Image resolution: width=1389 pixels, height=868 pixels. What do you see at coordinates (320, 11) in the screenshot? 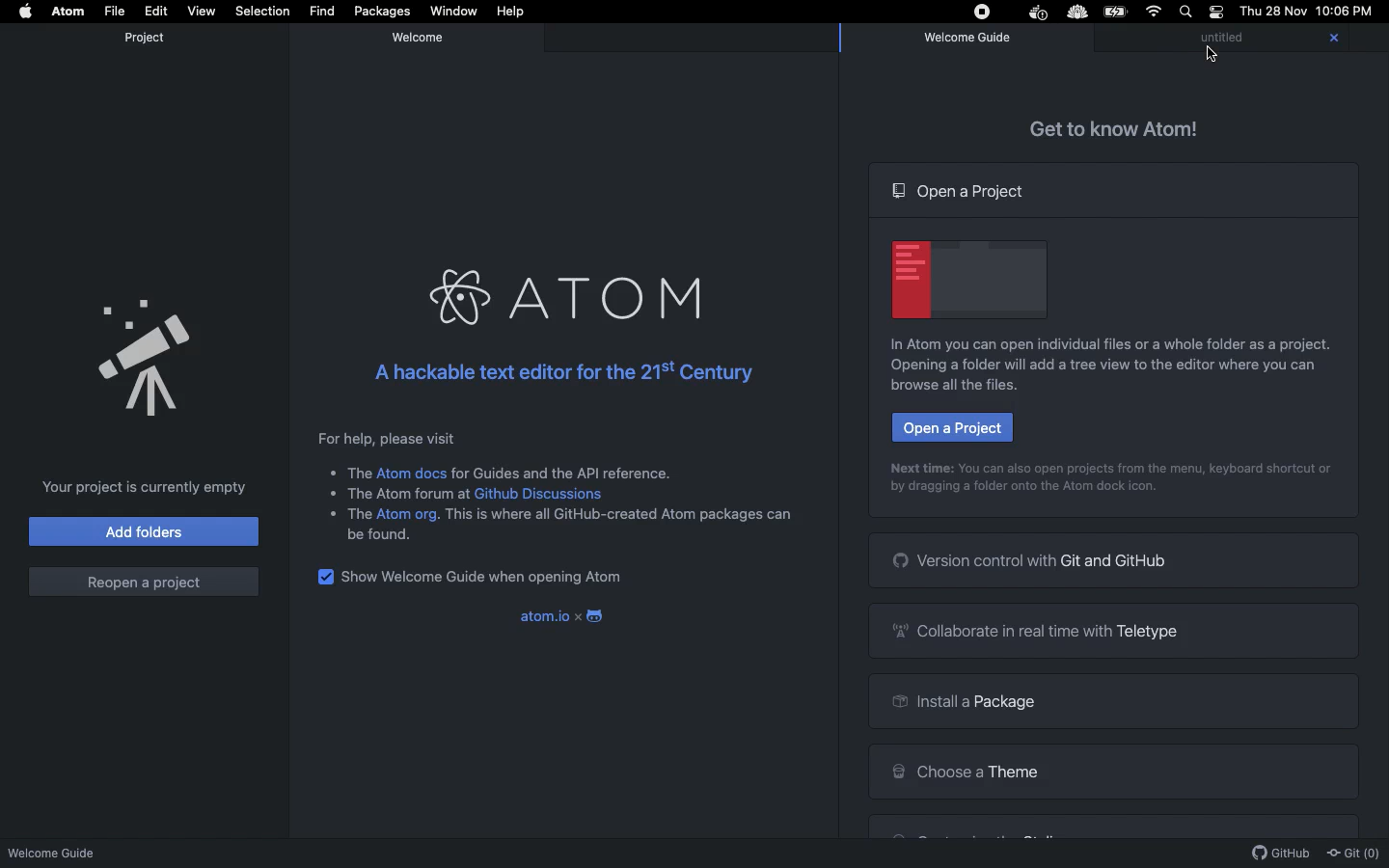
I see `Find` at bounding box center [320, 11].